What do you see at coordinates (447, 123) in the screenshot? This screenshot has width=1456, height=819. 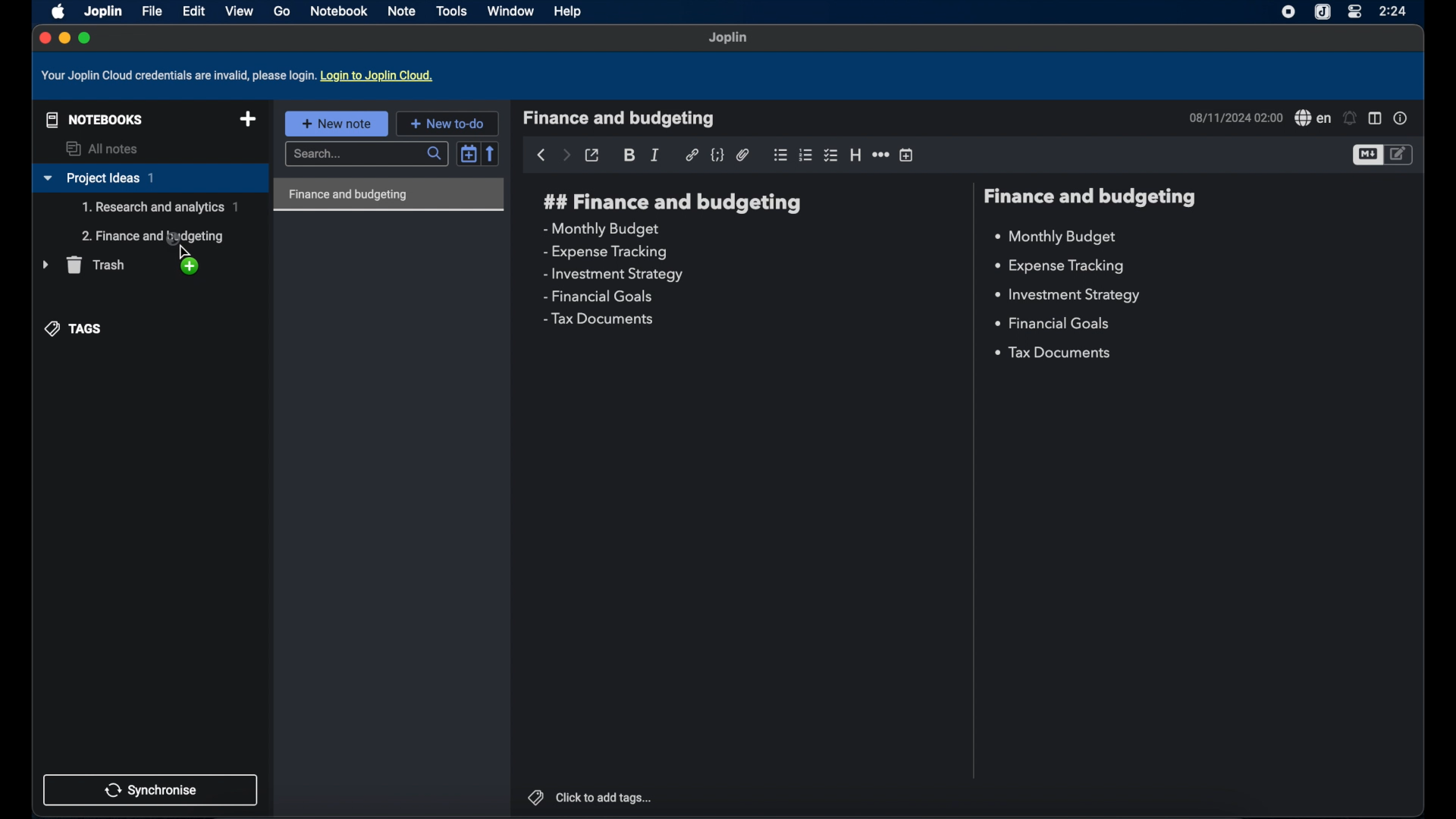 I see `new to-do` at bounding box center [447, 123].